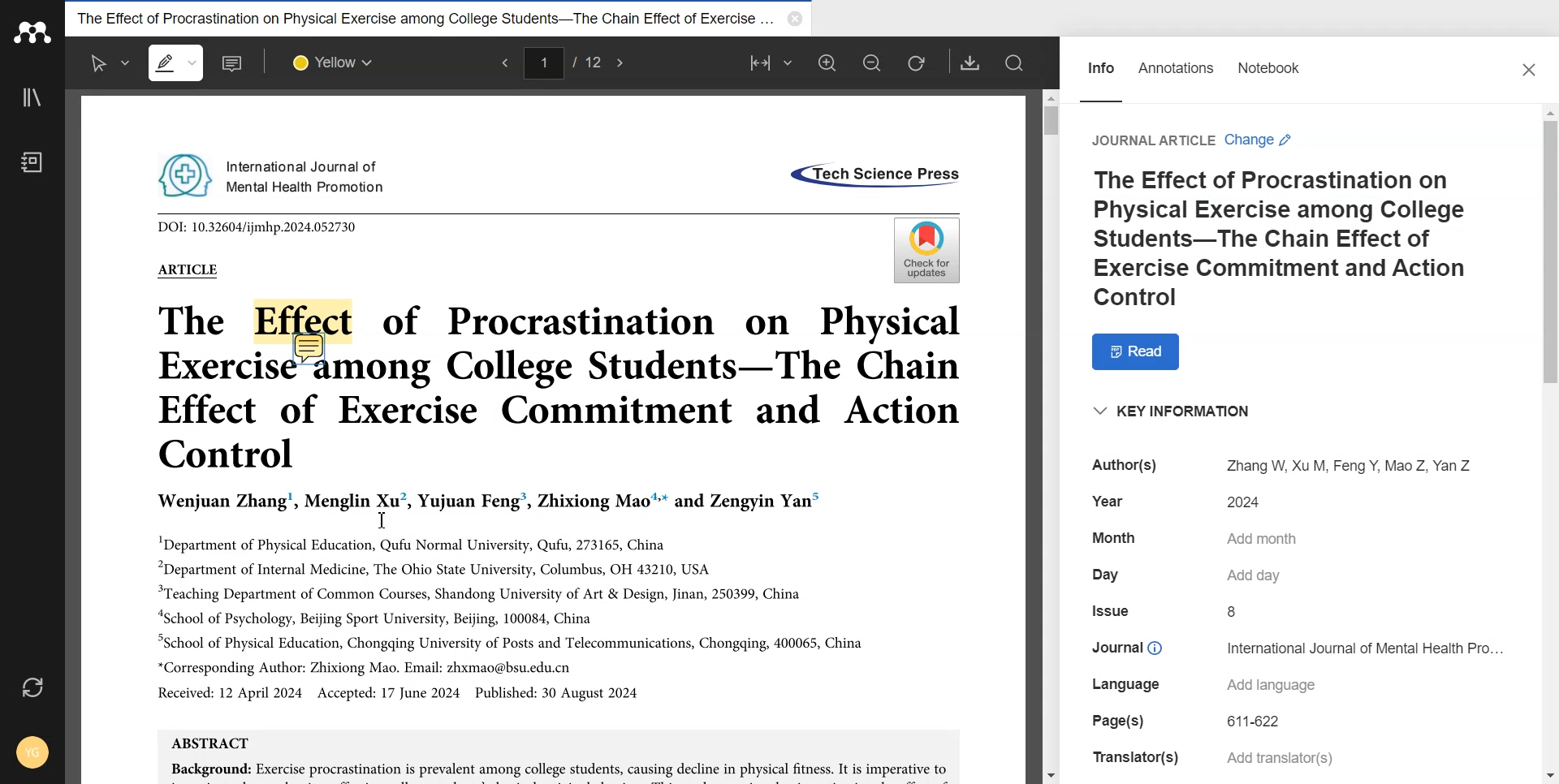 This screenshot has height=784, width=1559. What do you see at coordinates (1174, 415) in the screenshot?
I see `“KEY INFORMATION` at bounding box center [1174, 415].